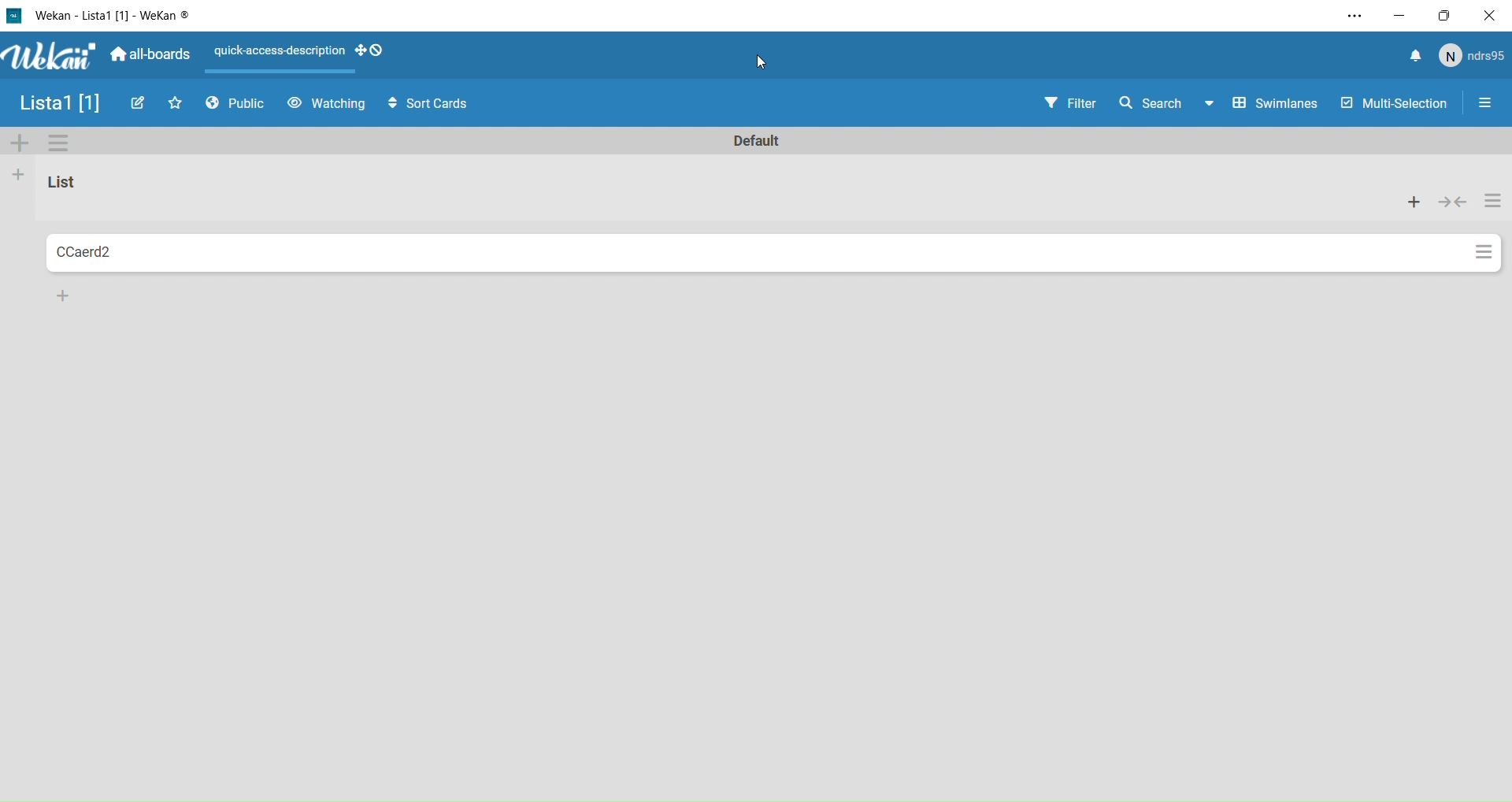 This screenshot has width=1512, height=802. What do you see at coordinates (1469, 56) in the screenshot?
I see `User` at bounding box center [1469, 56].